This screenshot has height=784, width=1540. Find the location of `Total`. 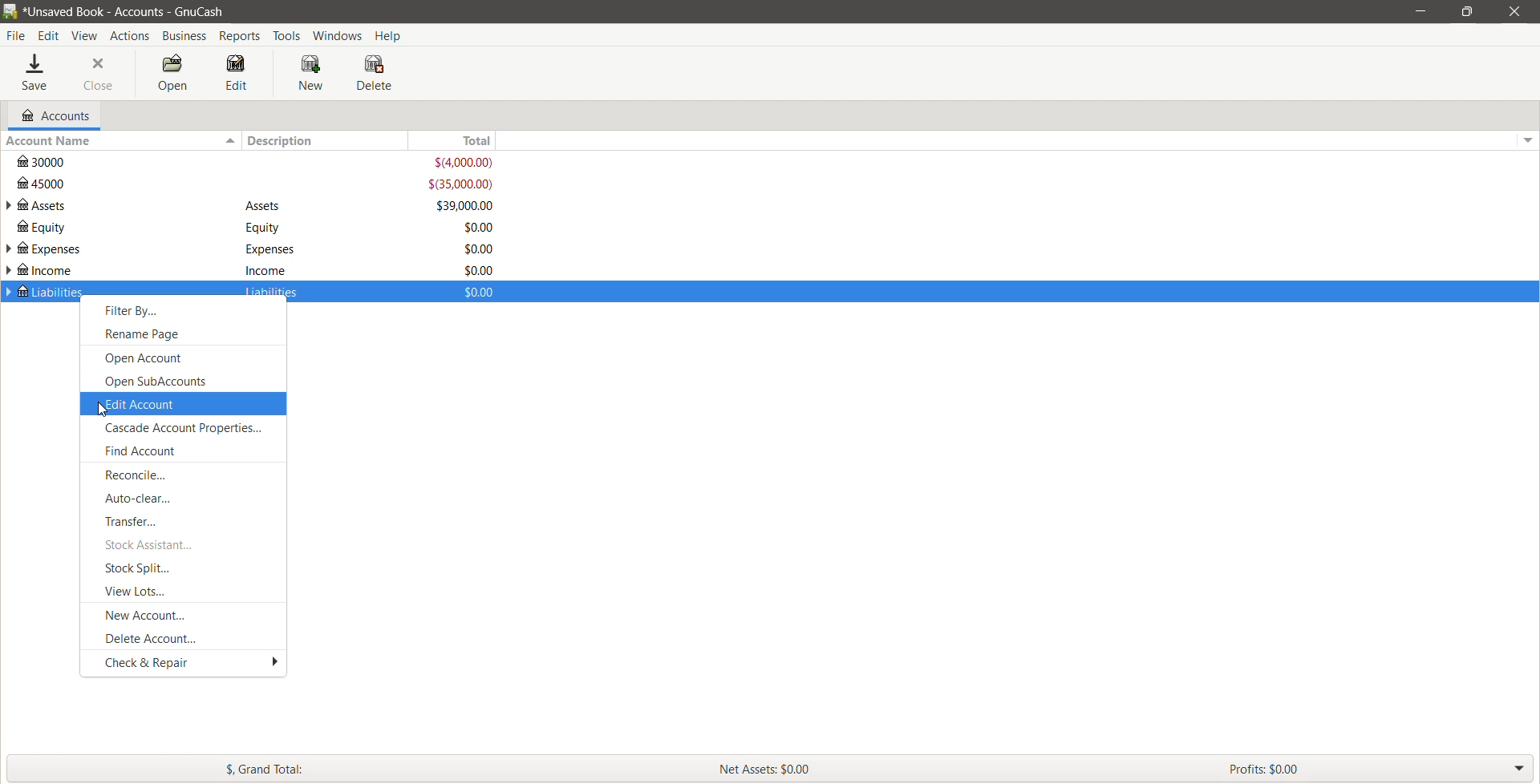

Total is located at coordinates (464, 140).